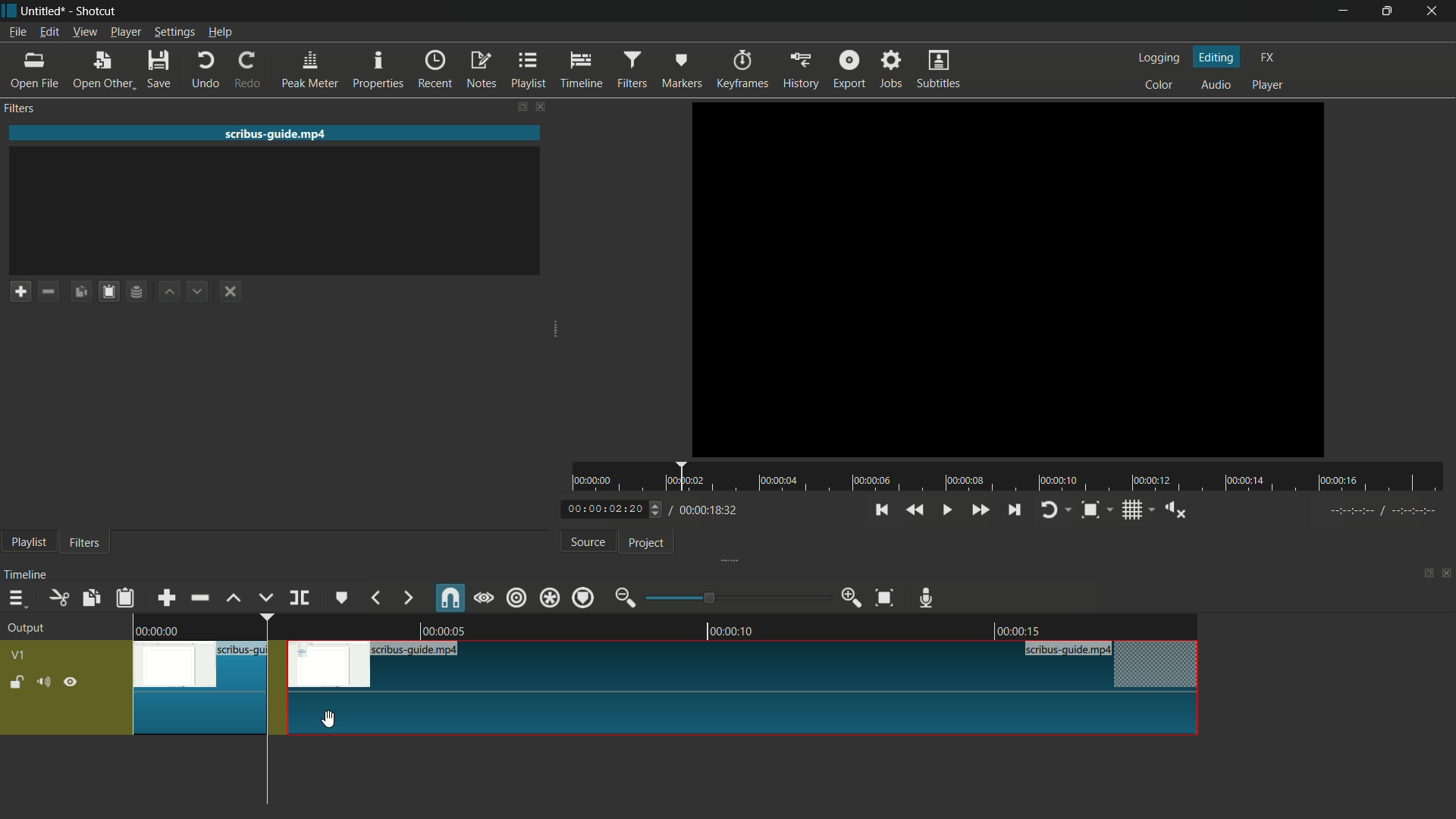 The image size is (1456, 819). What do you see at coordinates (1015, 478) in the screenshot?
I see `time` at bounding box center [1015, 478].